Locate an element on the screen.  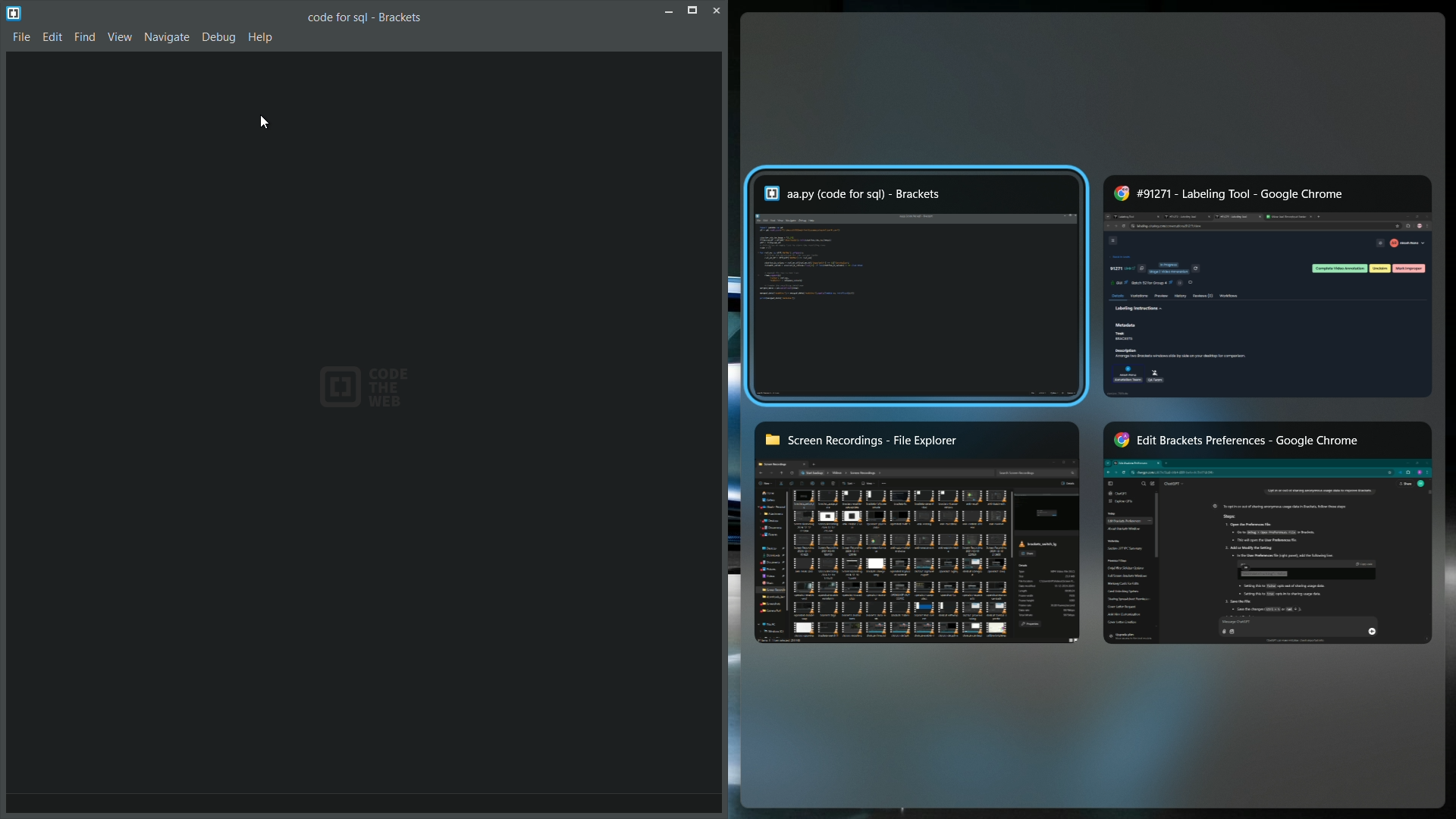
View is located at coordinates (121, 37).